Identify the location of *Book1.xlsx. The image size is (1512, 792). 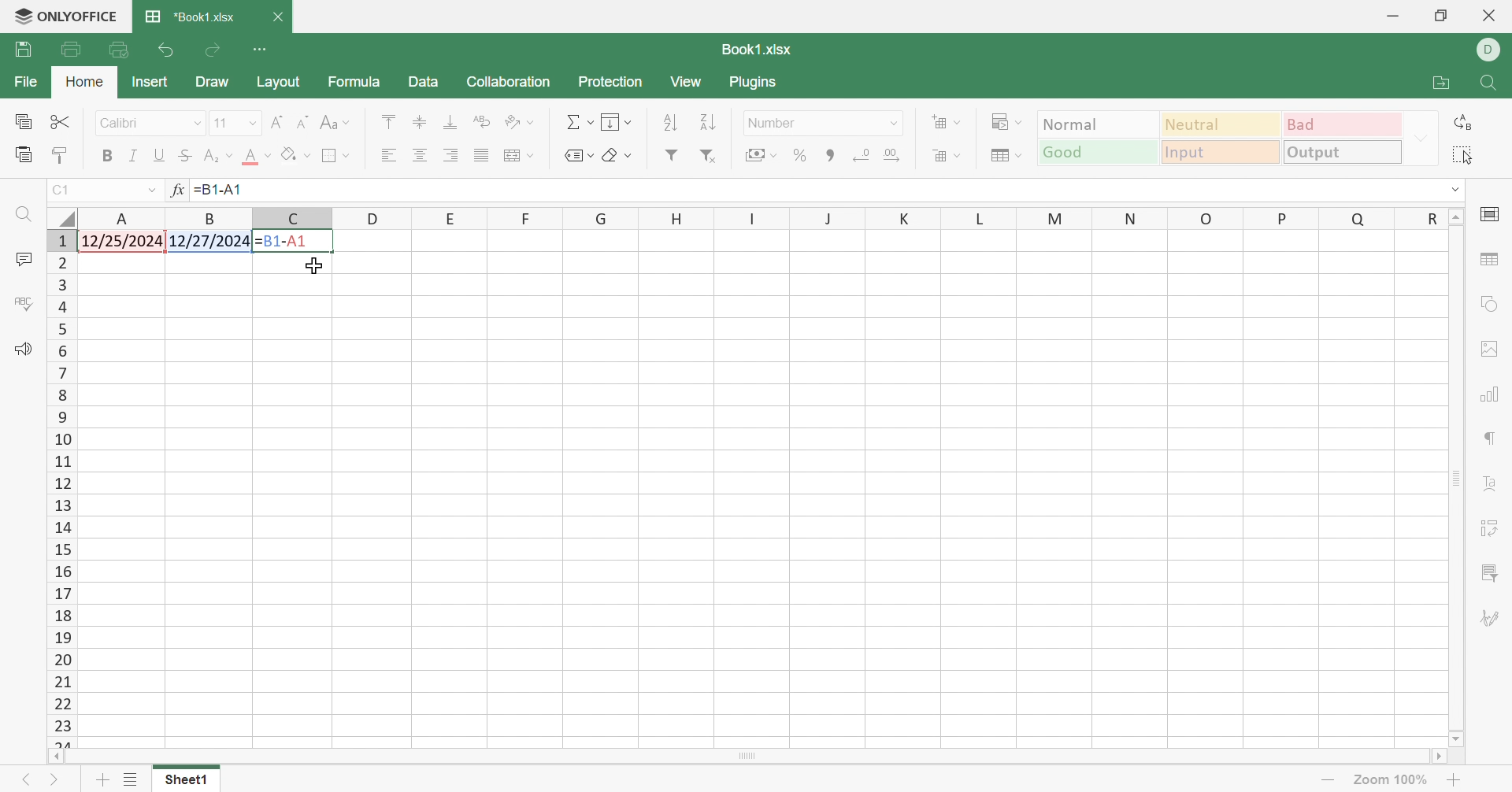
(193, 16).